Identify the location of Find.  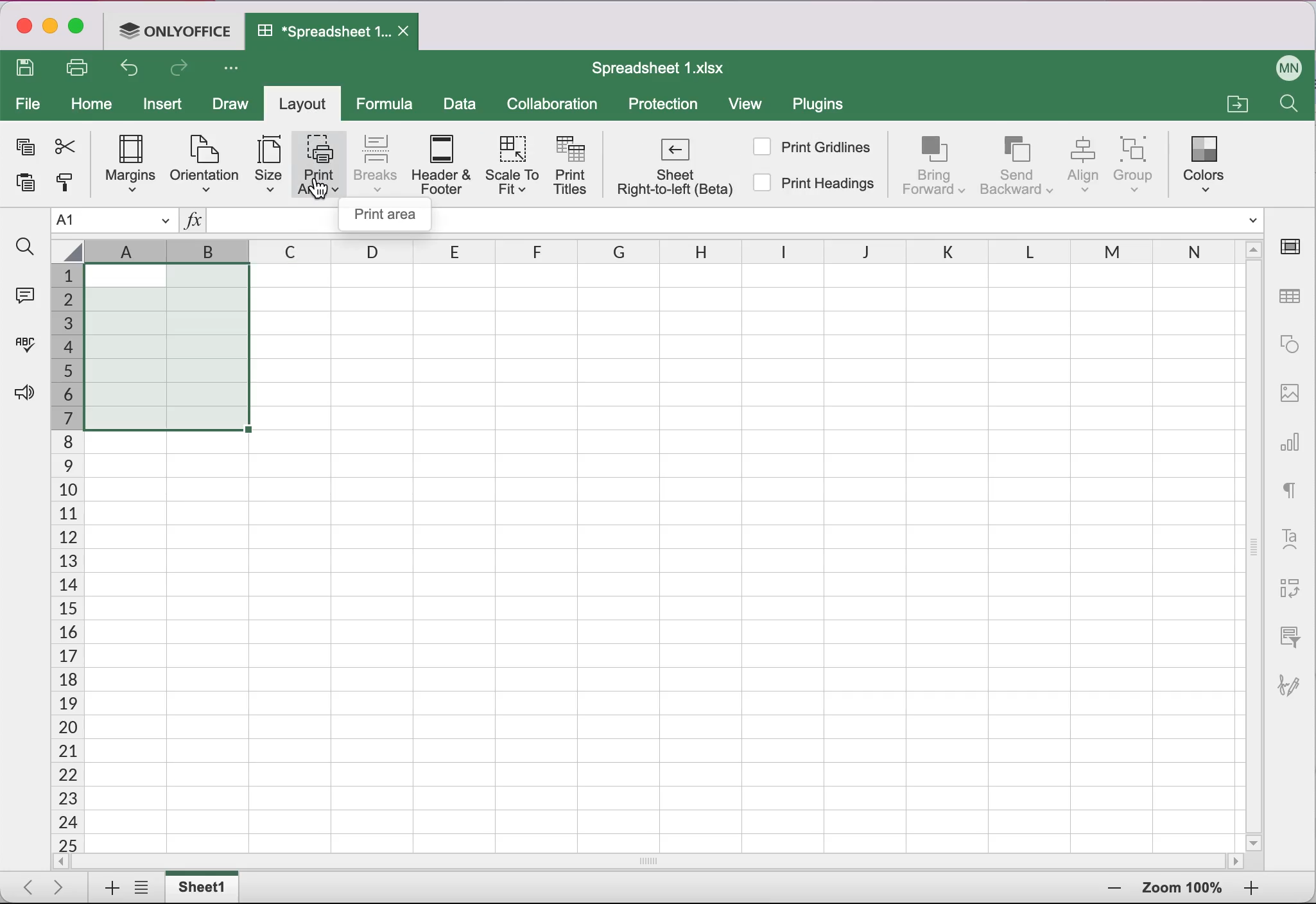
(1287, 107).